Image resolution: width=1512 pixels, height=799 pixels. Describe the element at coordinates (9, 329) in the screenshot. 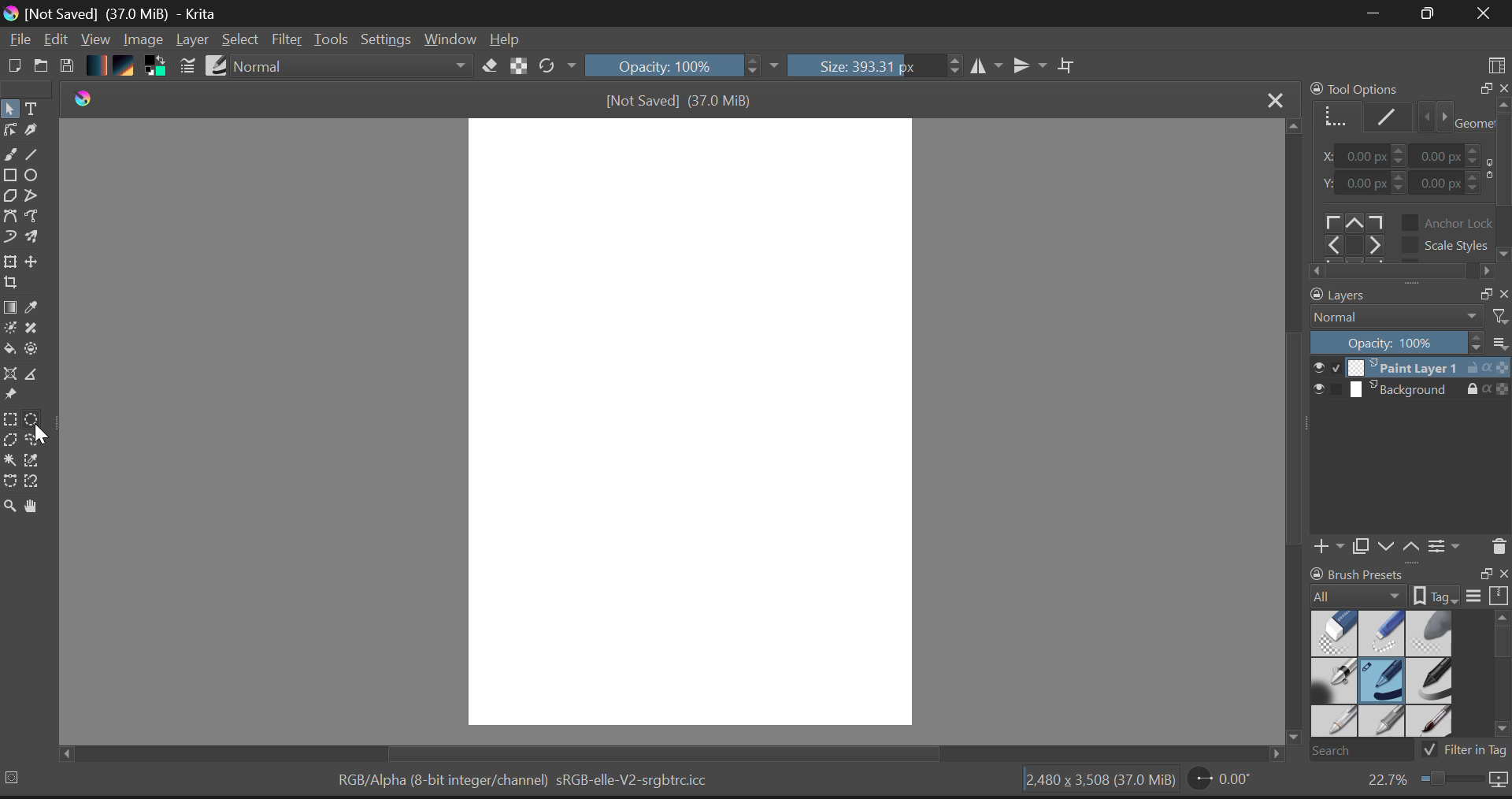

I see `Colorize Mask Tool` at that location.